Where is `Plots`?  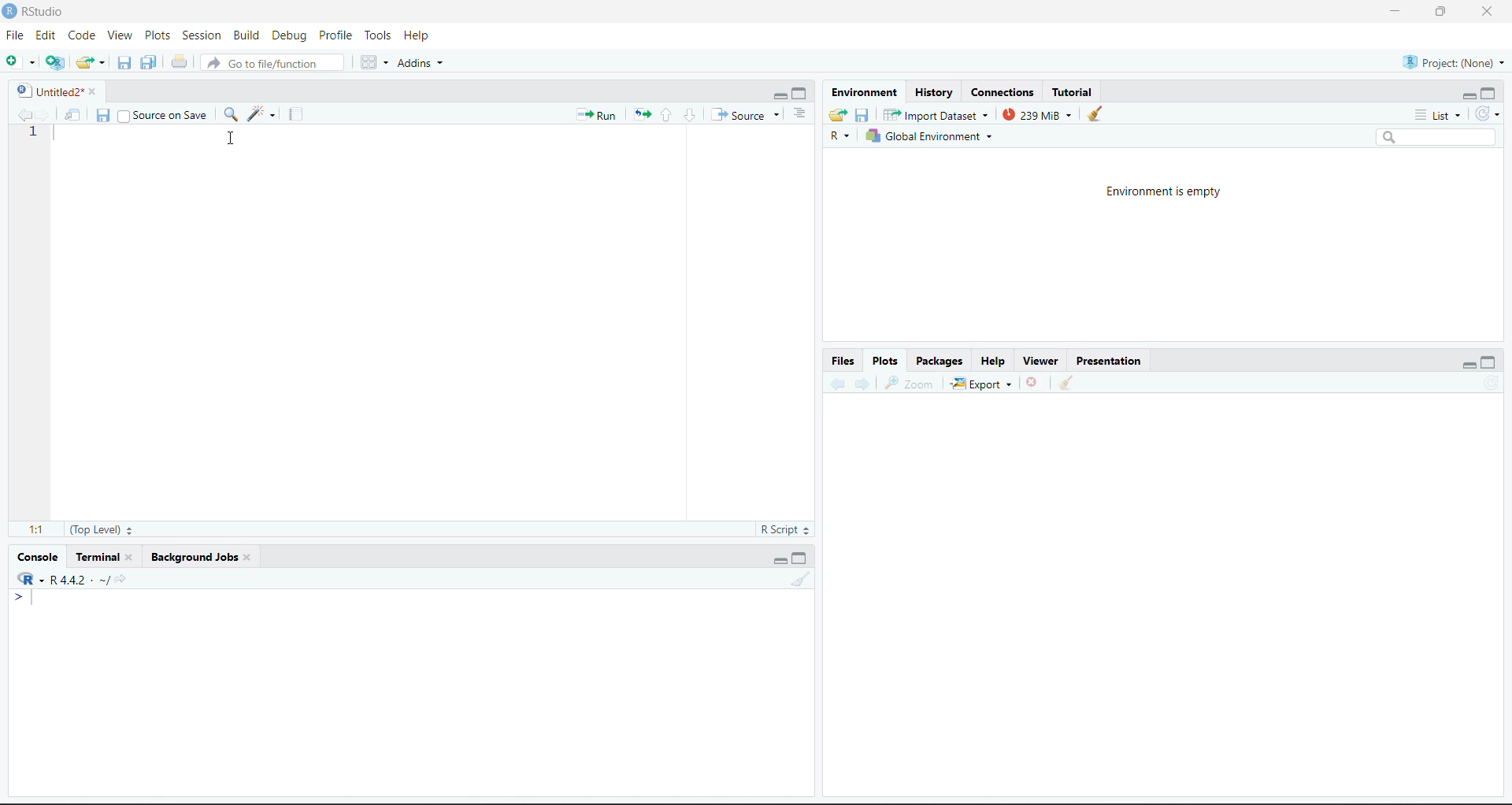 Plots is located at coordinates (158, 34).